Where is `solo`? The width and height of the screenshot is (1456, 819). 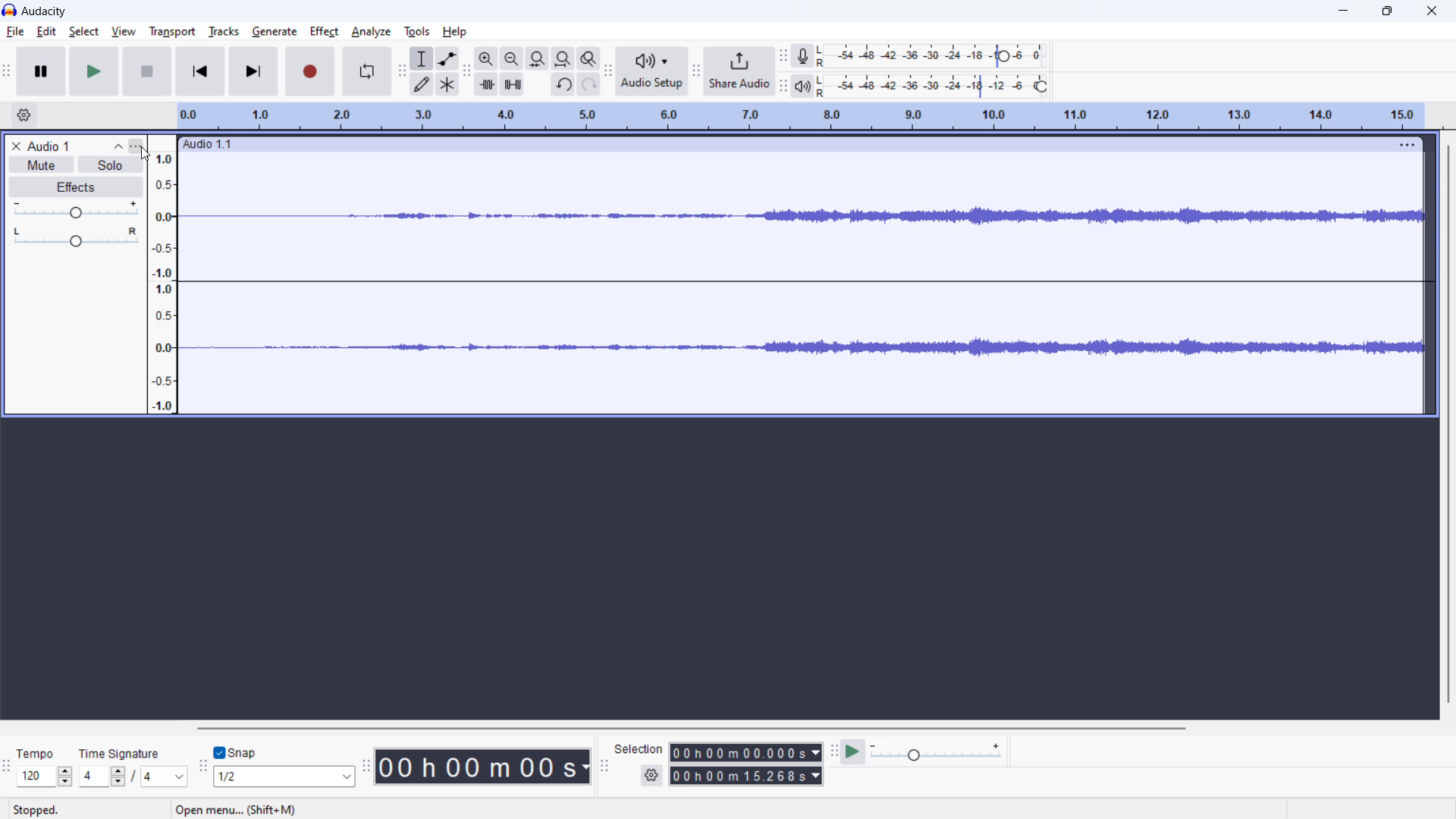
solo is located at coordinates (111, 164).